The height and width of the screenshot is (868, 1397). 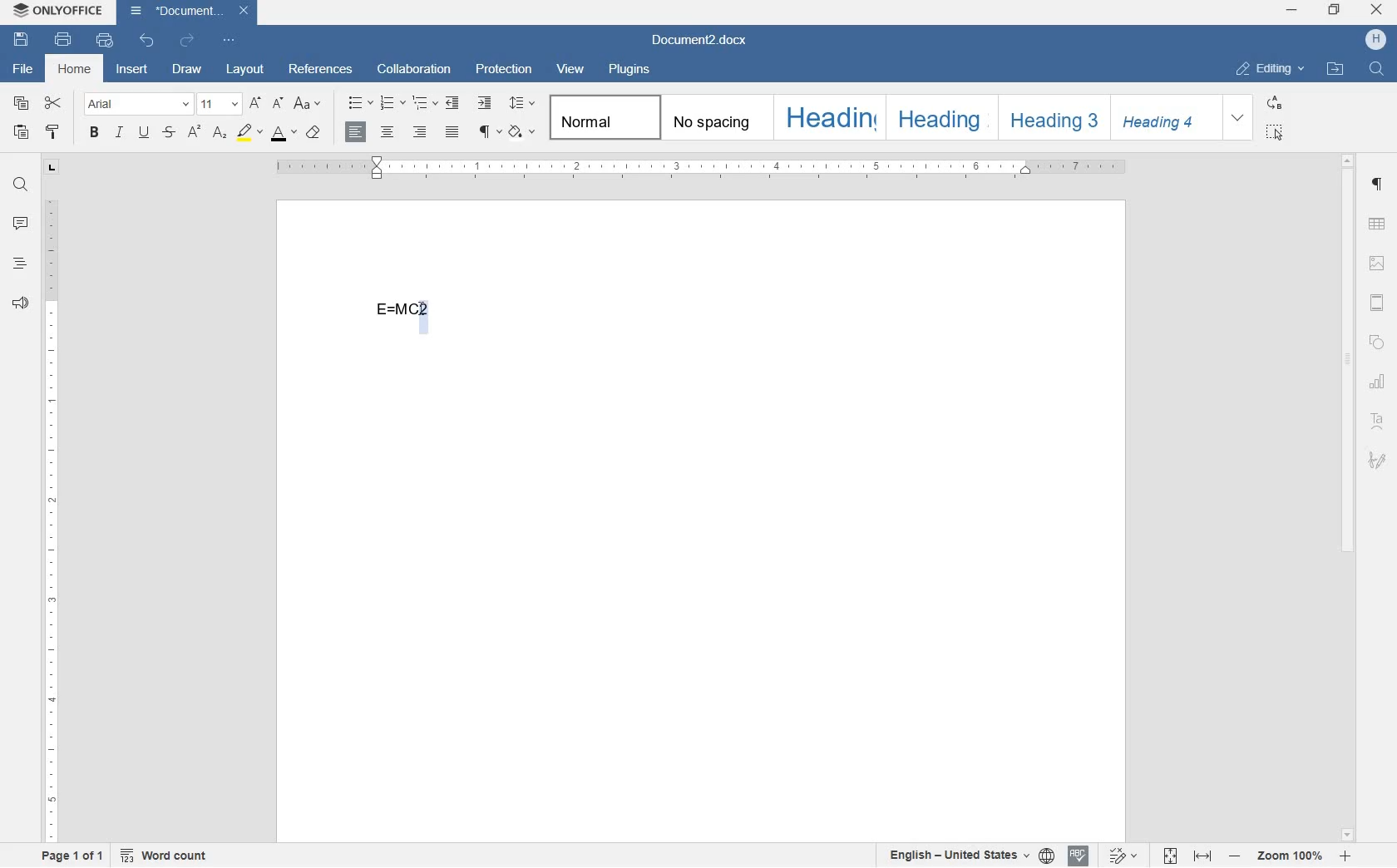 I want to click on bullets, so click(x=361, y=103).